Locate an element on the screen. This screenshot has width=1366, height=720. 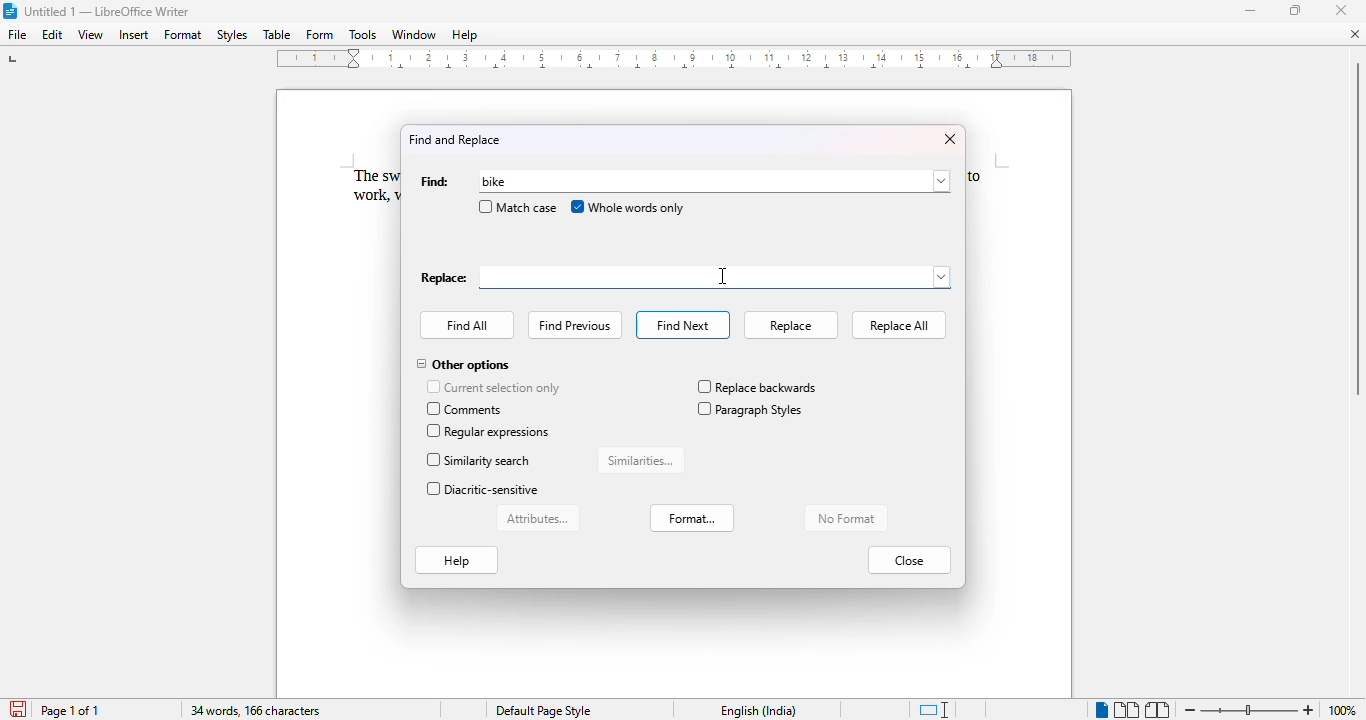
Vertical scroll bar is located at coordinates (1357, 227).